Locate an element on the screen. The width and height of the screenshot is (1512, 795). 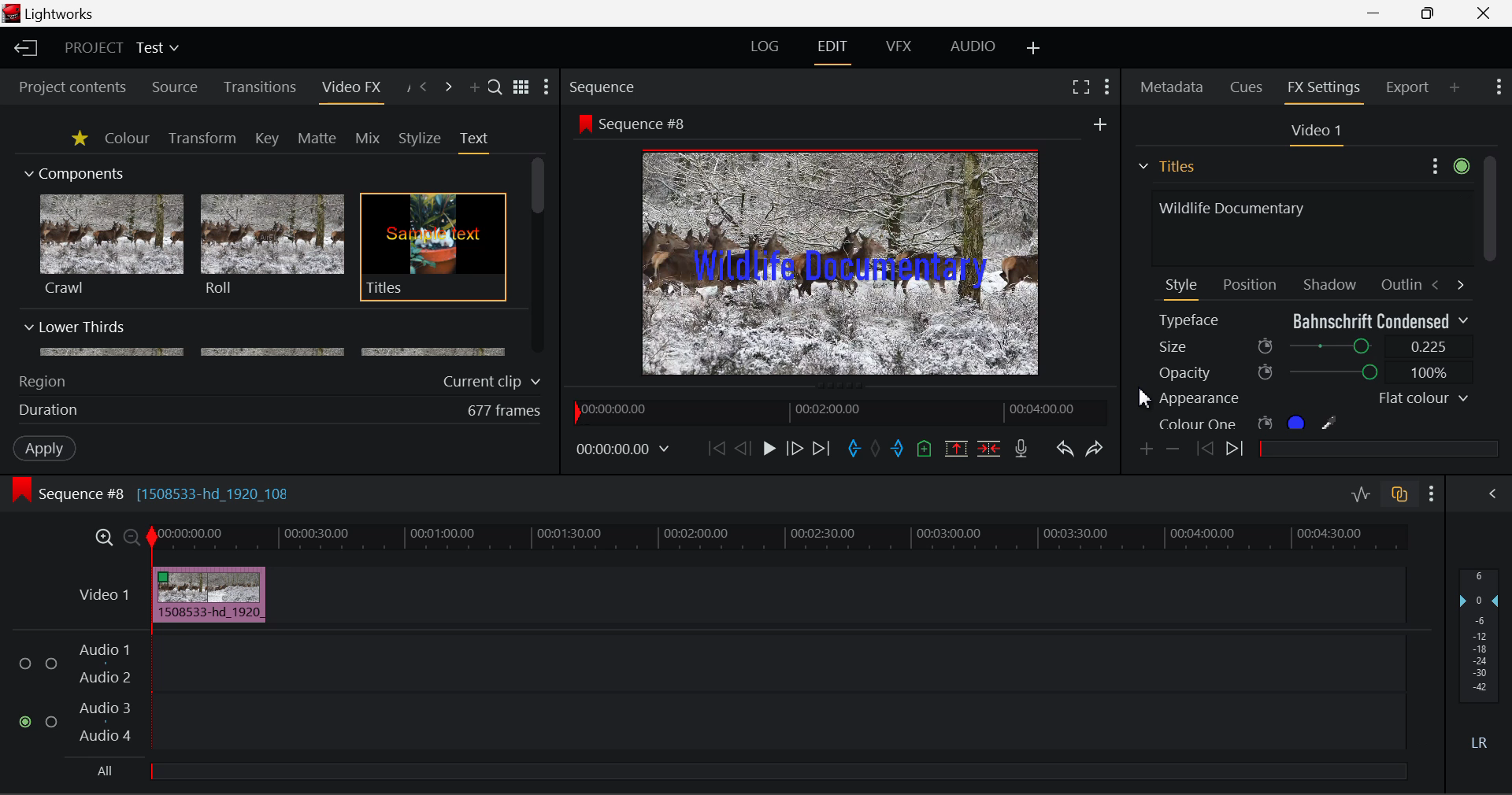
add is located at coordinates (1100, 124).